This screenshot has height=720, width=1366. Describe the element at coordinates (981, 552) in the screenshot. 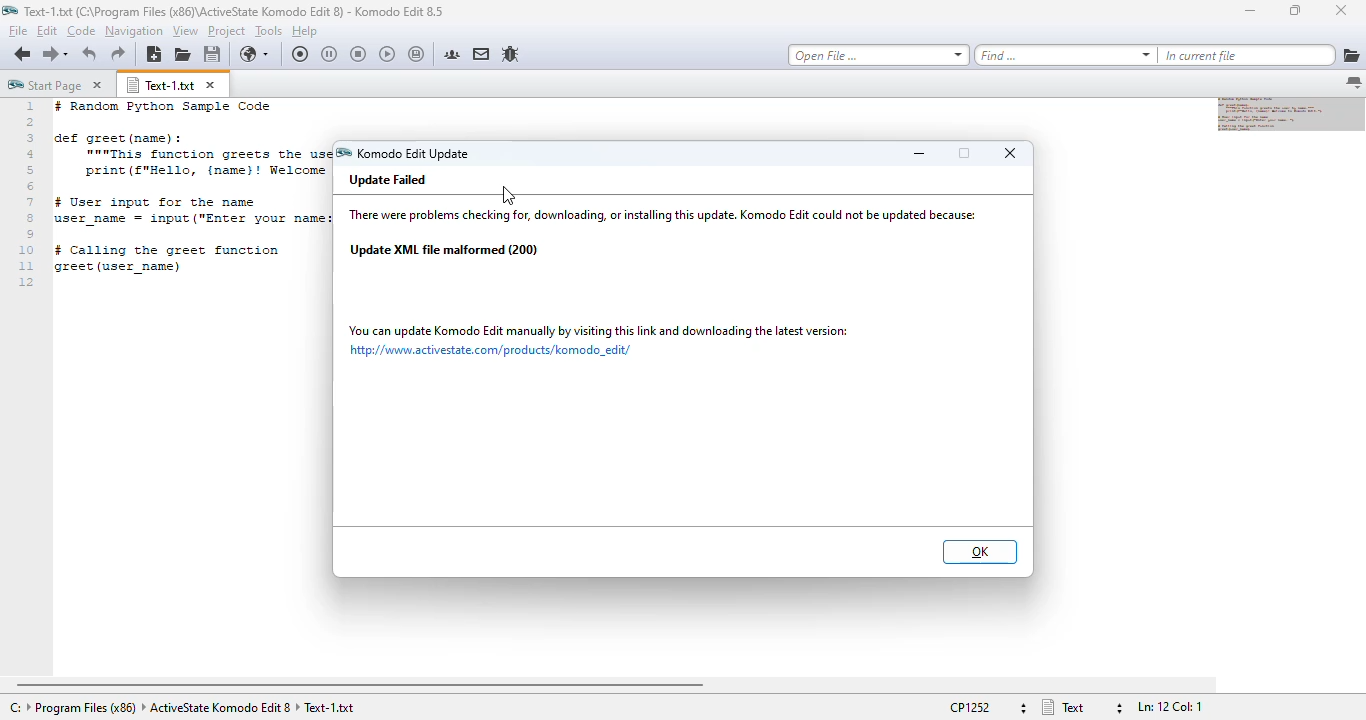

I see `OK` at that location.